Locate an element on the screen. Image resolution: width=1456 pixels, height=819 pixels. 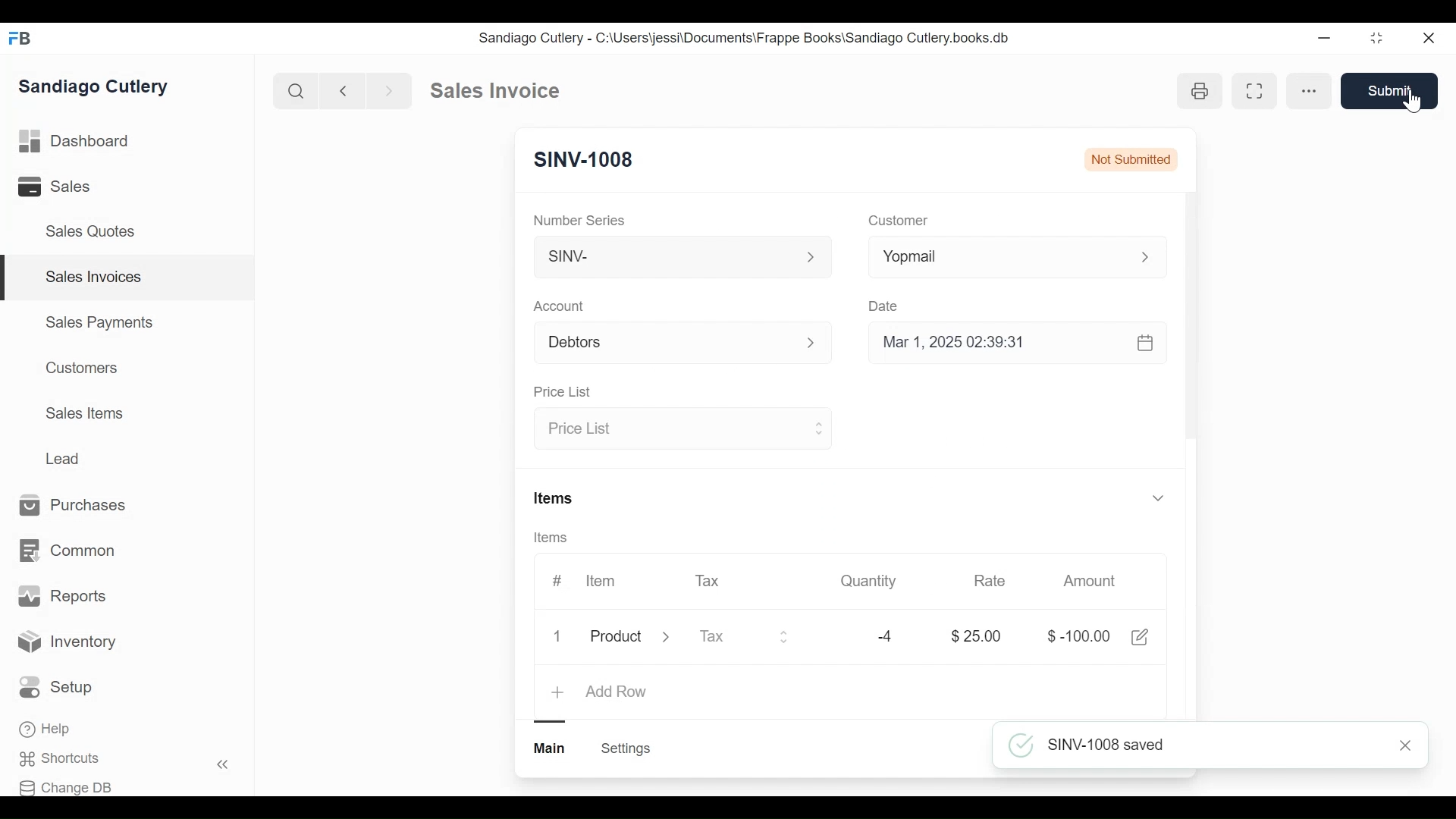
1 is located at coordinates (558, 635).